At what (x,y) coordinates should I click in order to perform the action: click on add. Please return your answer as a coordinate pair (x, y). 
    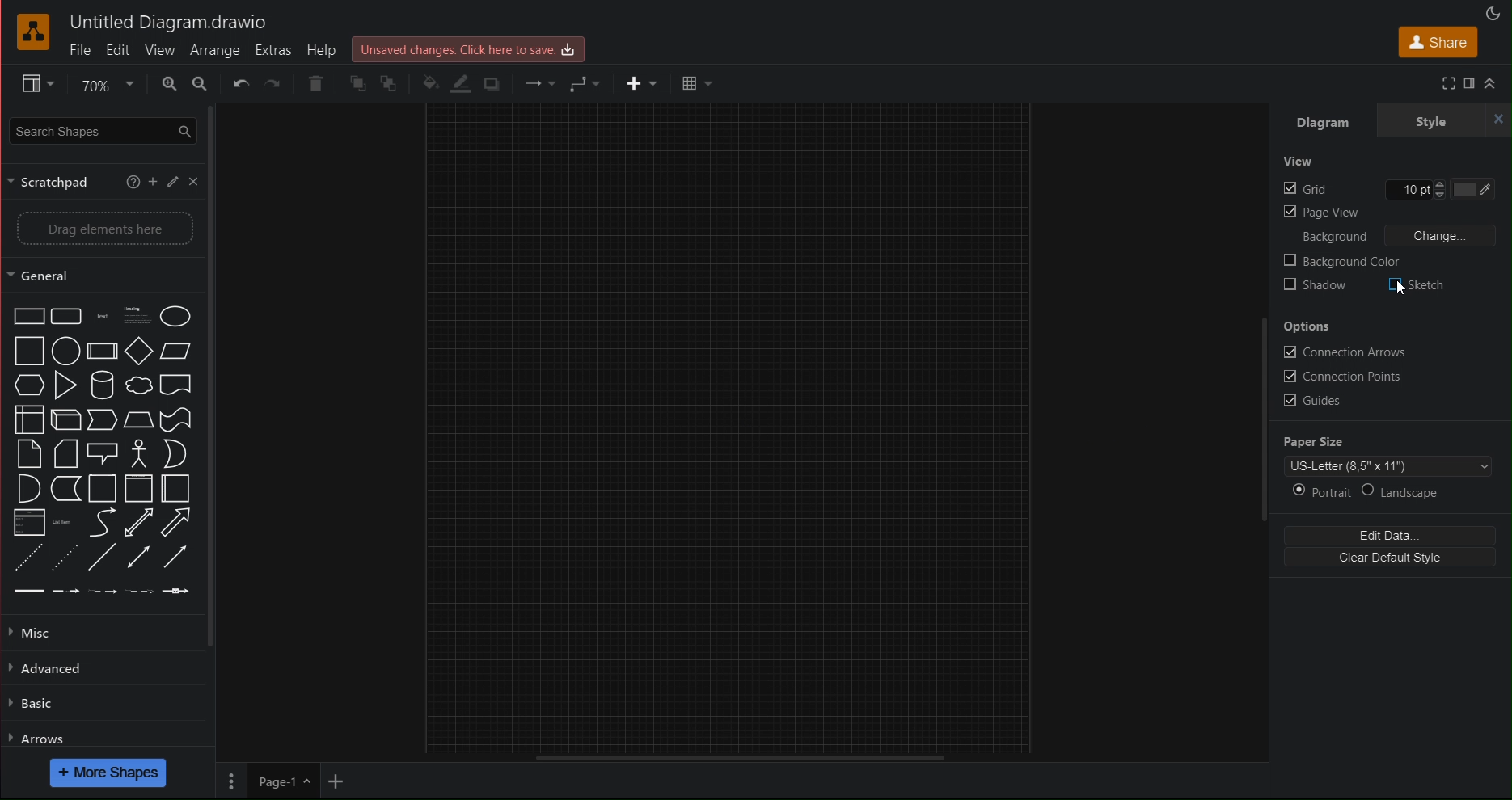
    Looking at the image, I should click on (153, 184).